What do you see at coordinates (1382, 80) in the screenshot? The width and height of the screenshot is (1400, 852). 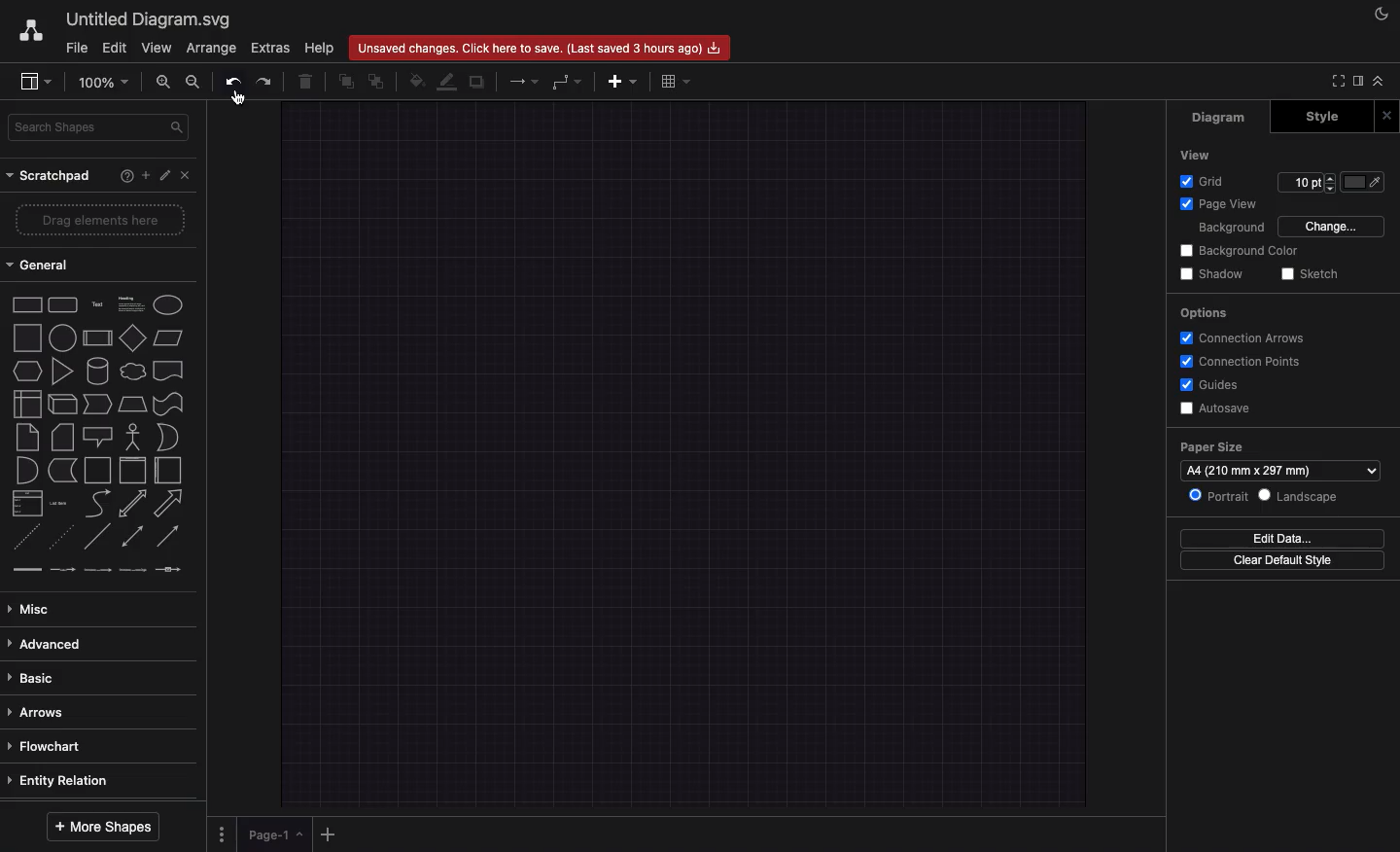 I see `Collapse` at bounding box center [1382, 80].